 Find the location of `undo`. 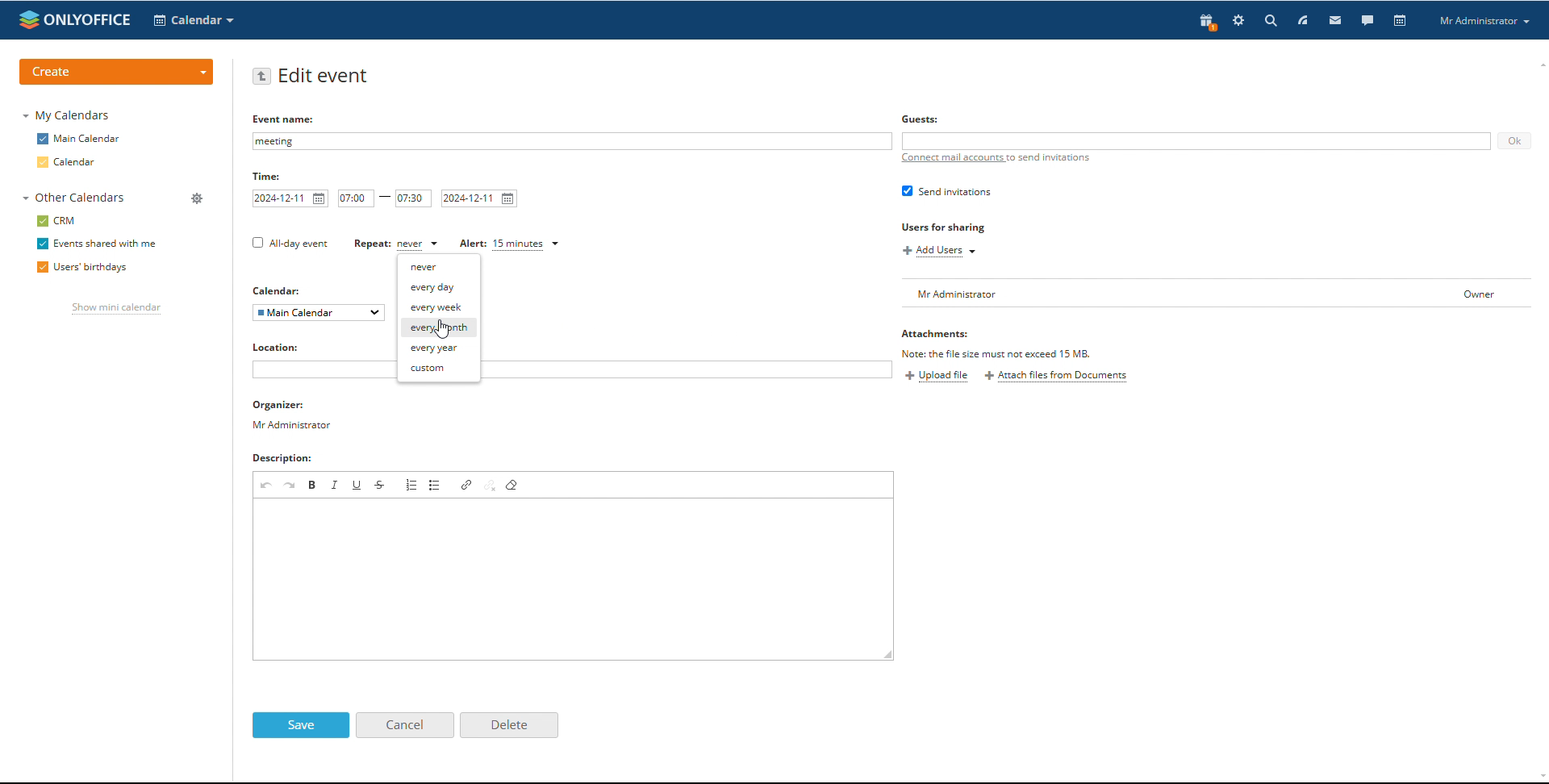

undo is located at coordinates (267, 485).